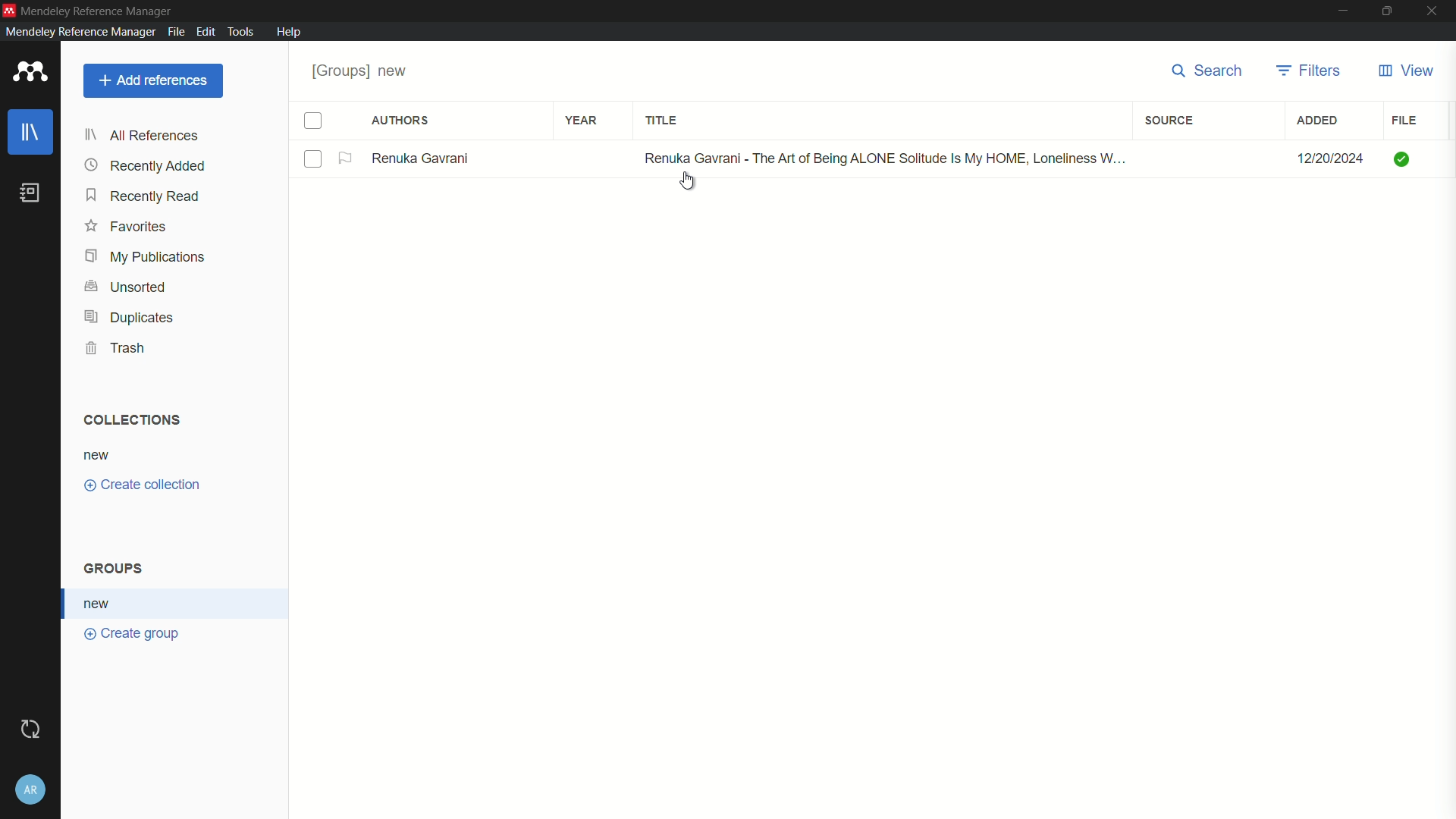 The height and width of the screenshot is (819, 1456). What do you see at coordinates (176, 32) in the screenshot?
I see `file menu` at bounding box center [176, 32].